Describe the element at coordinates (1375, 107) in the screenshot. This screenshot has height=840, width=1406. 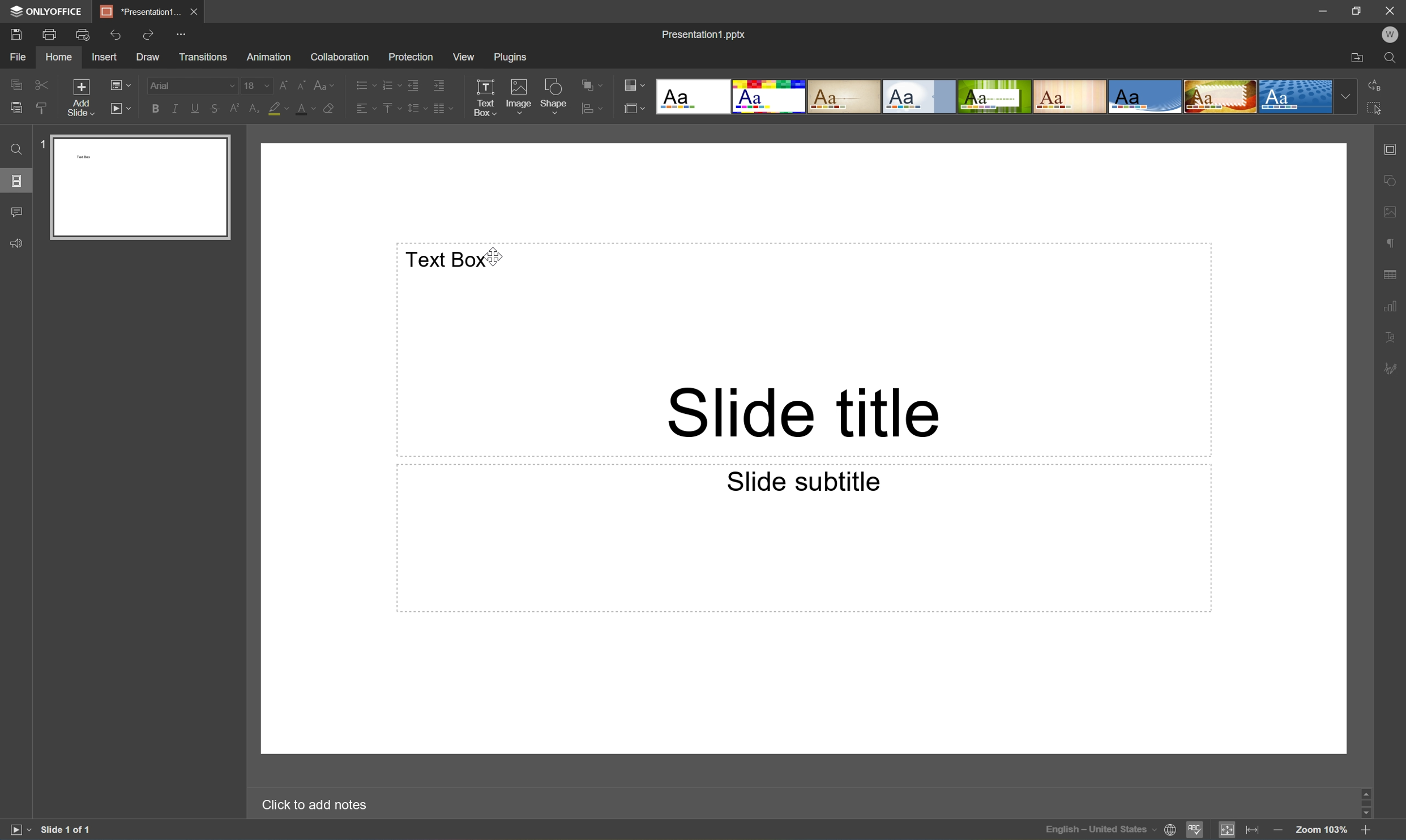
I see `Select All` at that location.